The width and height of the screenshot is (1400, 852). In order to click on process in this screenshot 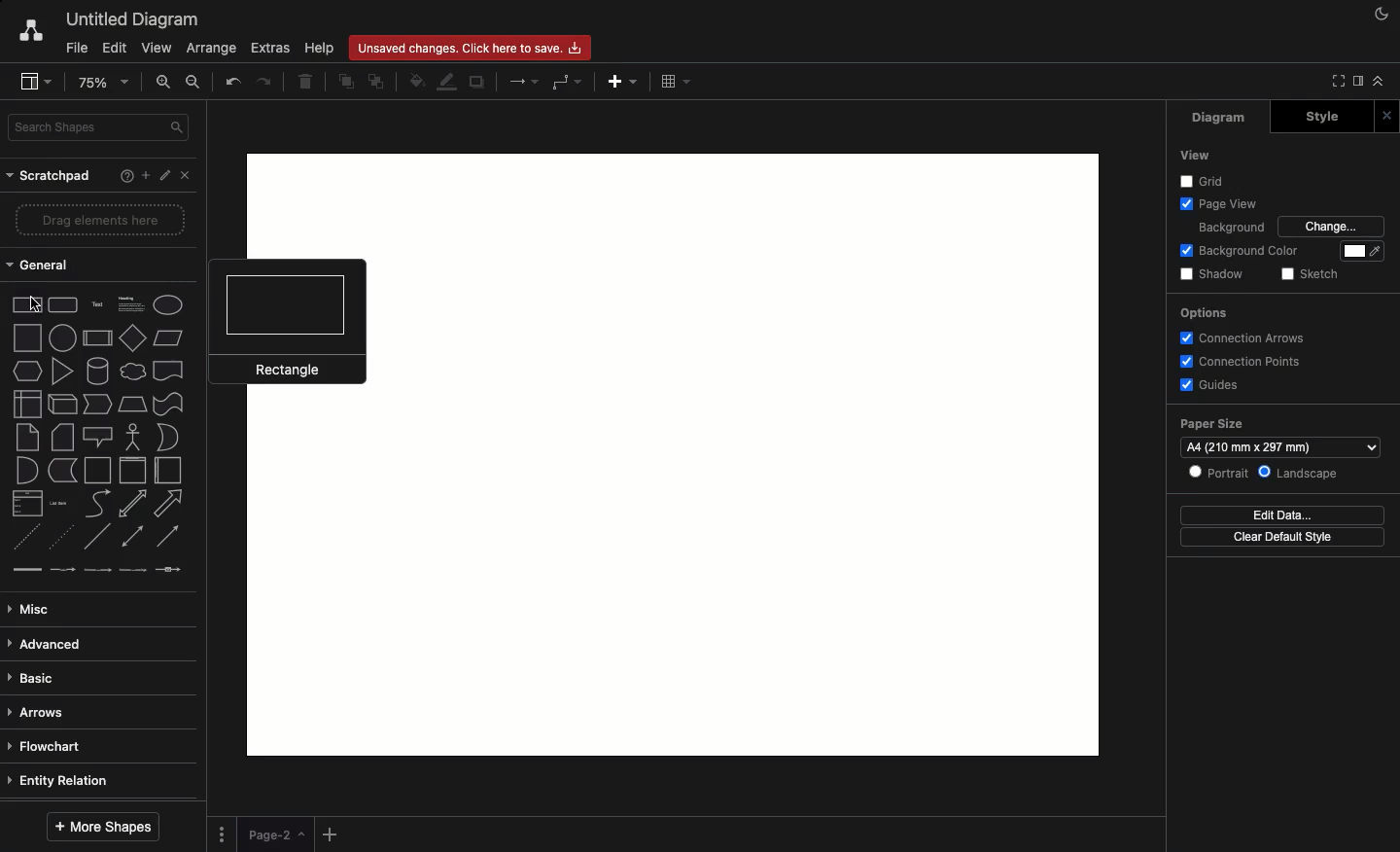, I will do `click(96, 339)`.